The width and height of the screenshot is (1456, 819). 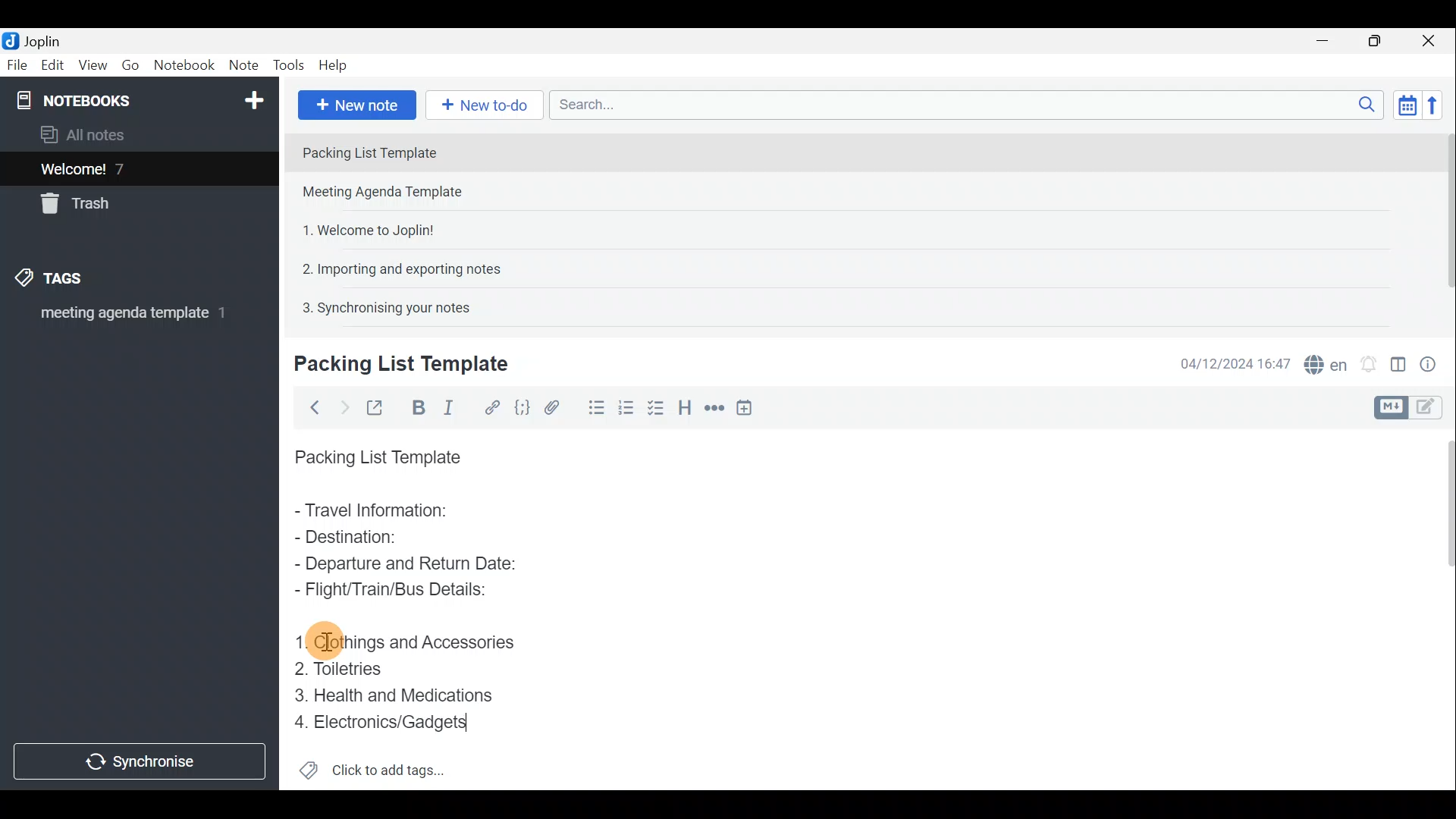 What do you see at coordinates (393, 693) in the screenshot?
I see `Health and Medications` at bounding box center [393, 693].